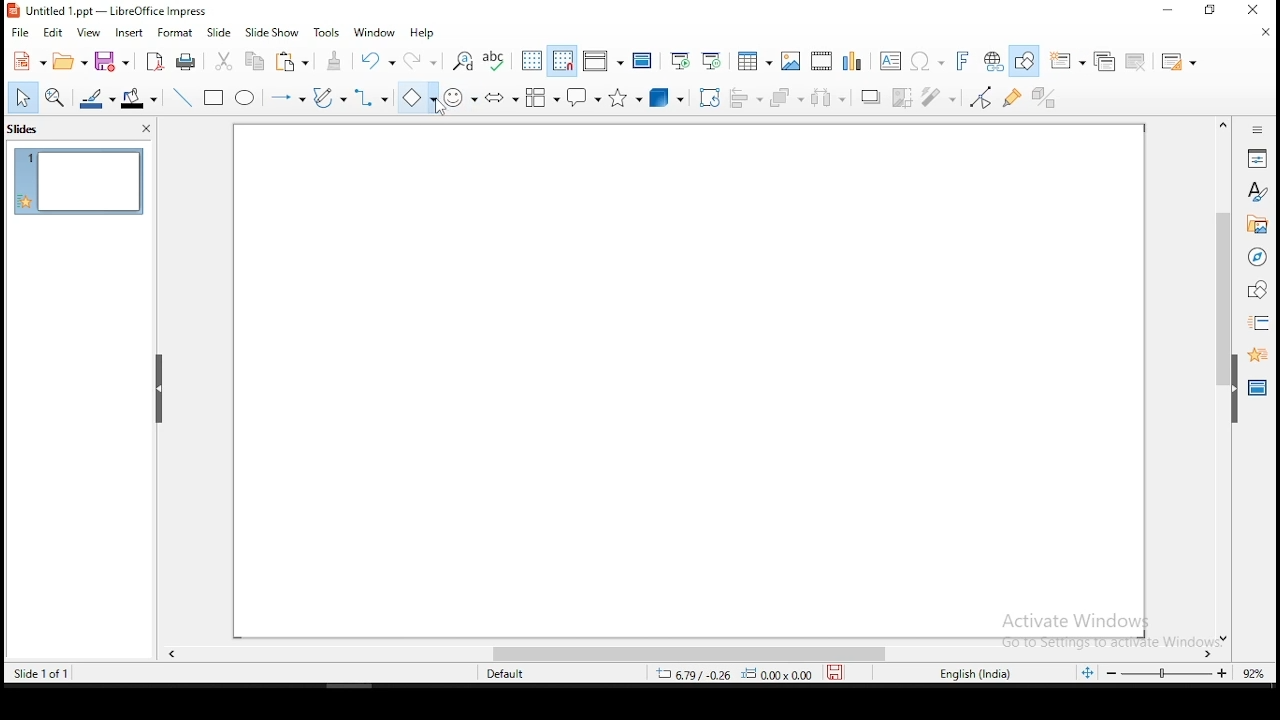 This screenshot has width=1280, height=720. Describe the element at coordinates (777, 675) in the screenshot. I see `0.00x 0.00` at that location.